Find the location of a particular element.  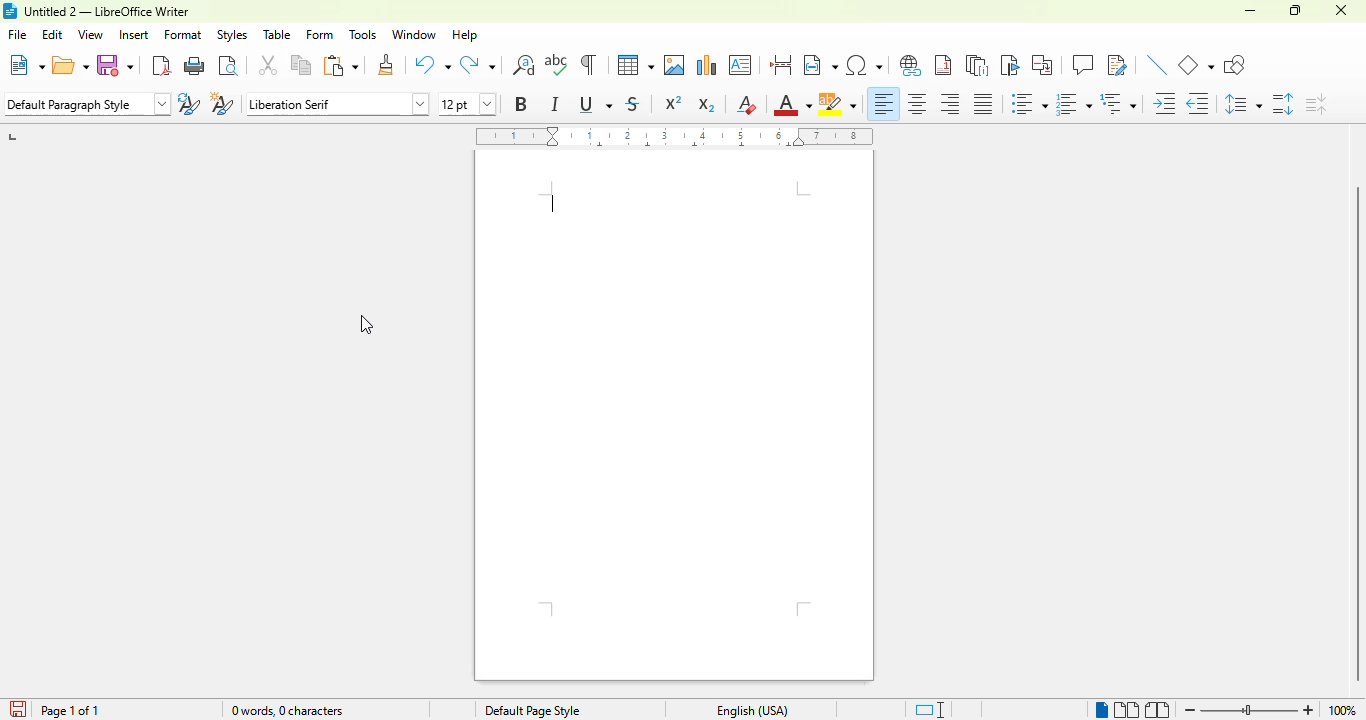

select outline format is located at coordinates (1118, 104).